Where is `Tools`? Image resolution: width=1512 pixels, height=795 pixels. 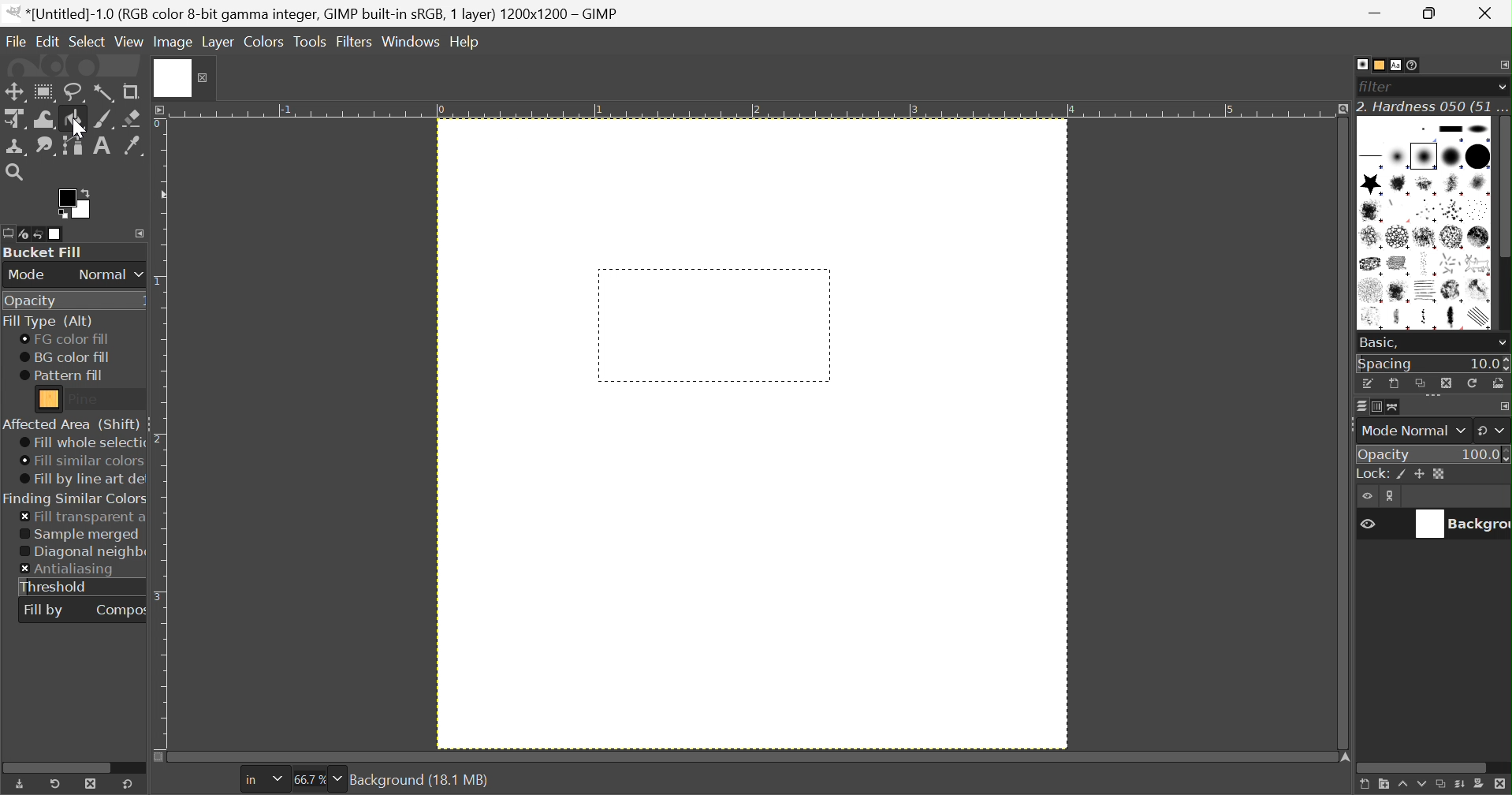
Tools is located at coordinates (311, 42).